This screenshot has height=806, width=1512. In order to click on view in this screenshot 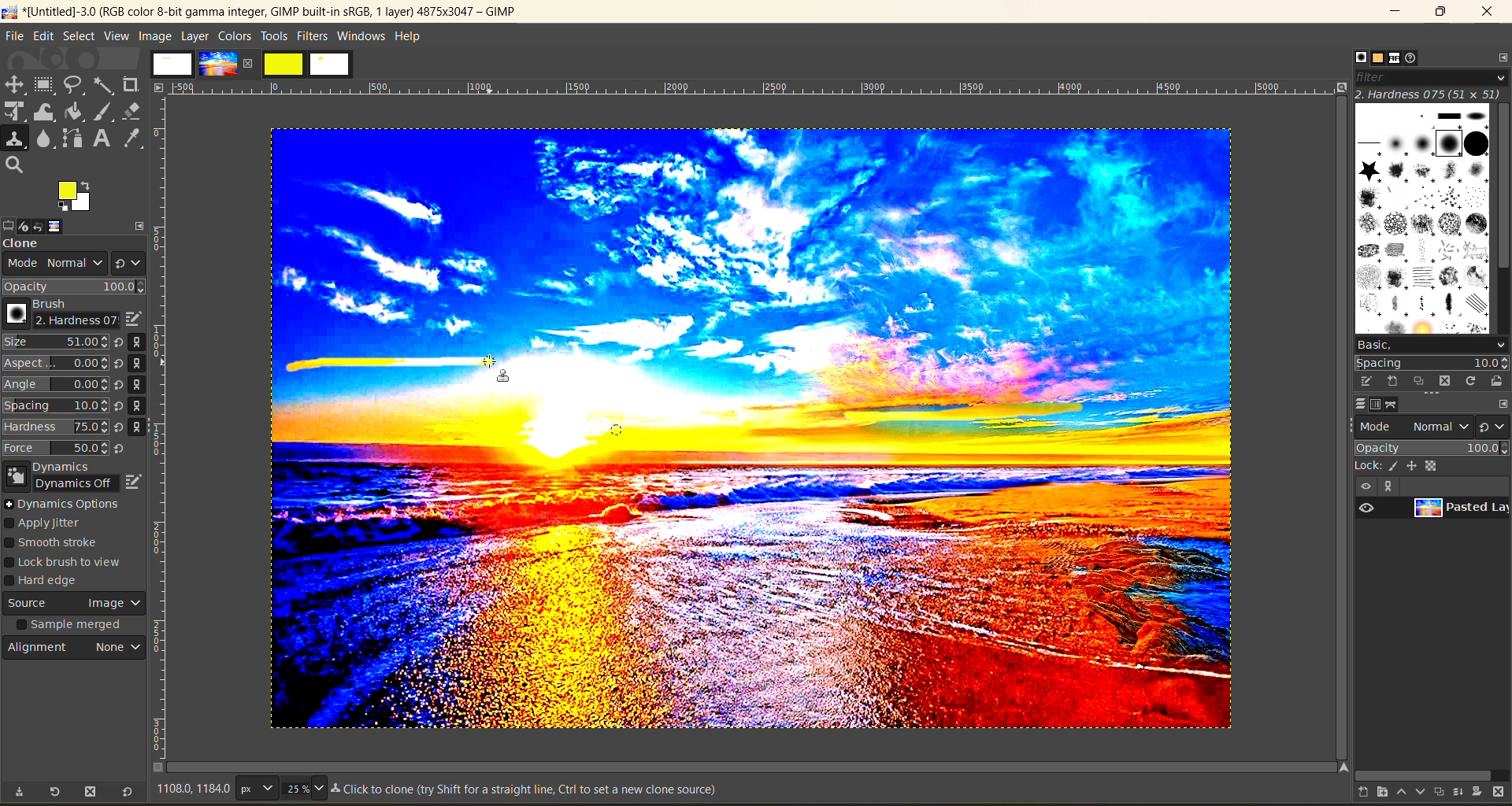, I will do `click(117, 36)`.